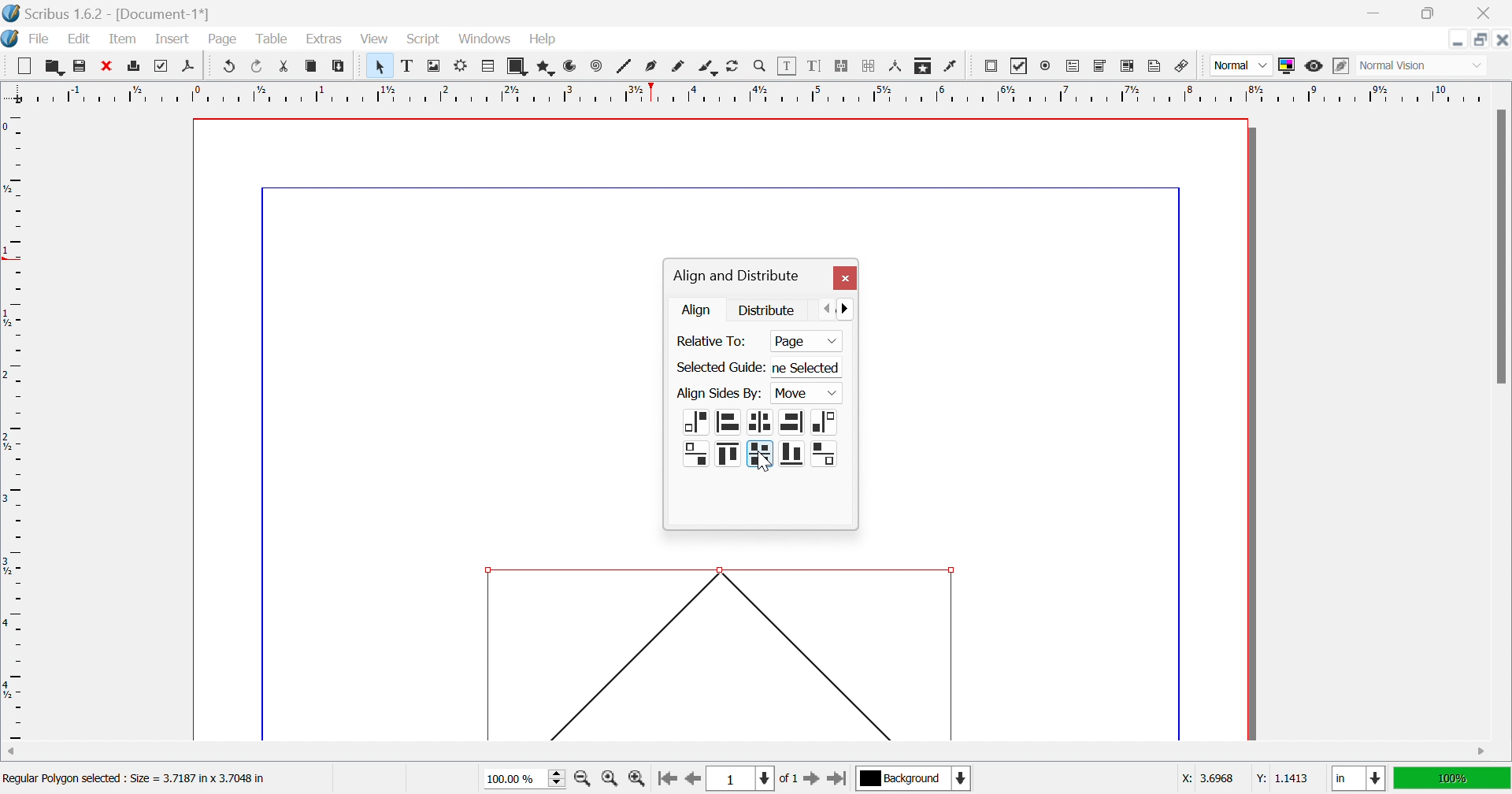  I want to click on Close, so click(105, 64).